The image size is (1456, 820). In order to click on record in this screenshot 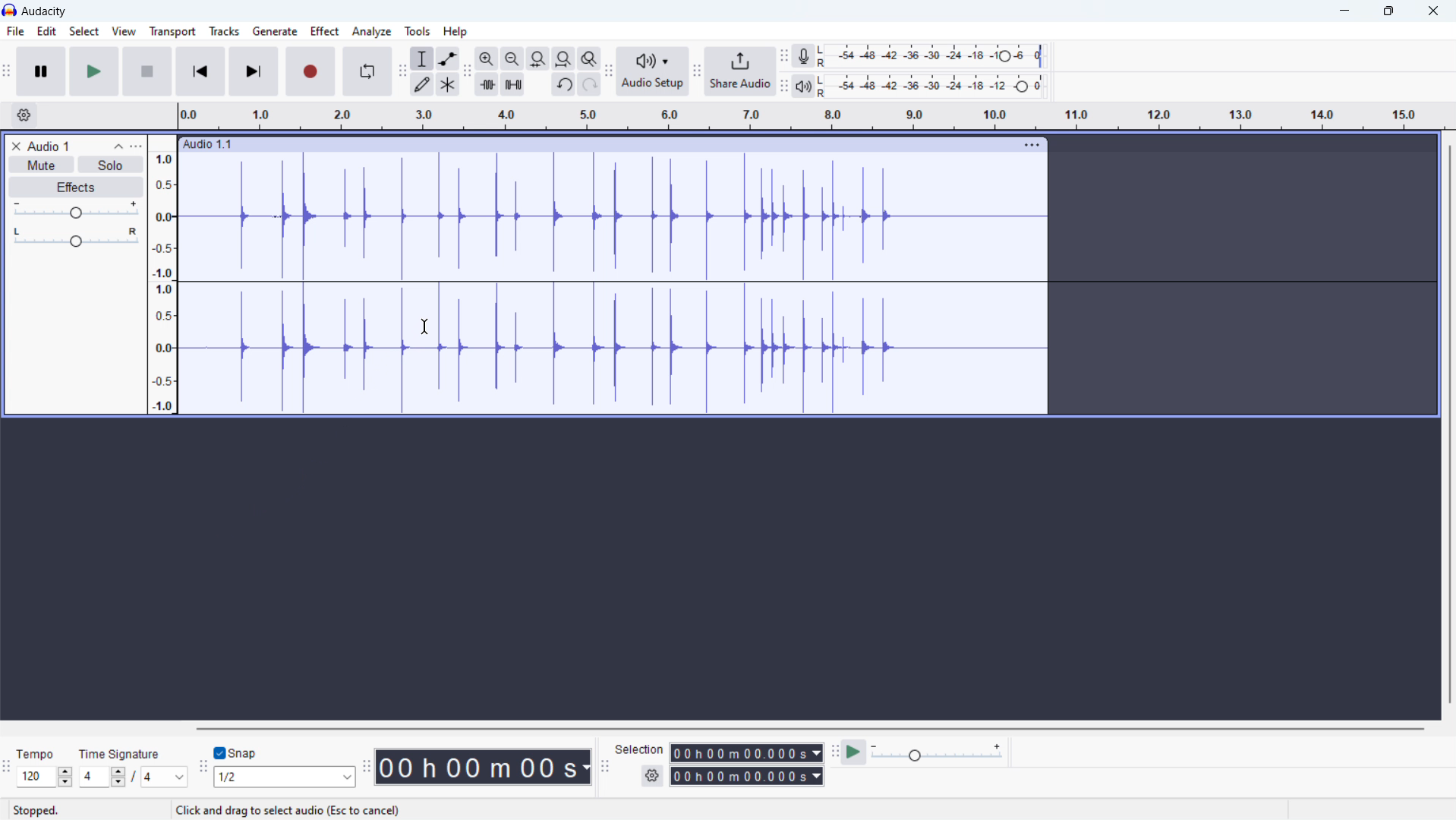, I will do `click(310, 71)`.